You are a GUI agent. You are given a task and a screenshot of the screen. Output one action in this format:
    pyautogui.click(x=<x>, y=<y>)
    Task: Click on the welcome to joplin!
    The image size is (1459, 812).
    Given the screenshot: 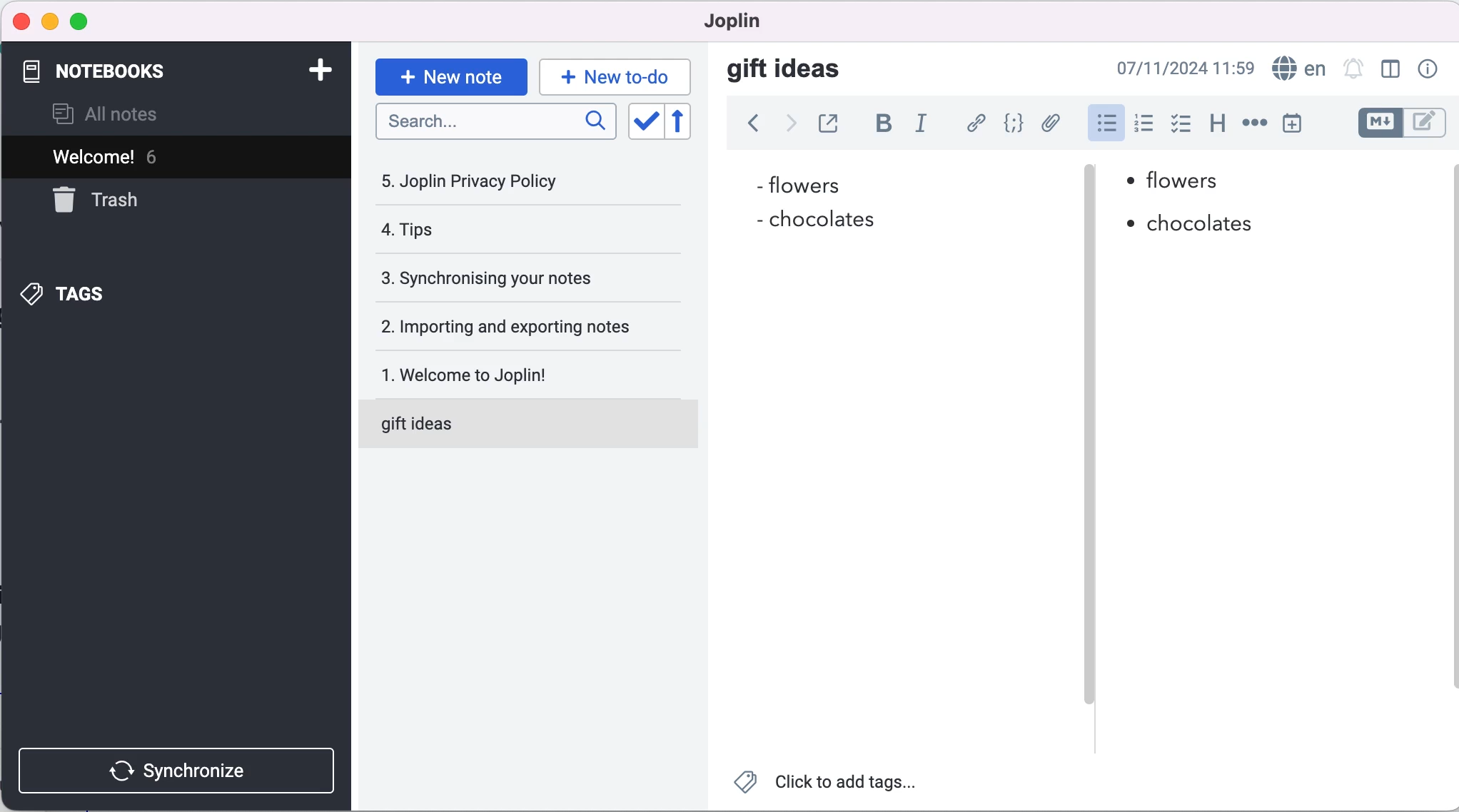 What is the action you would take?
    pyautogui.click(x=519, y=374)
    